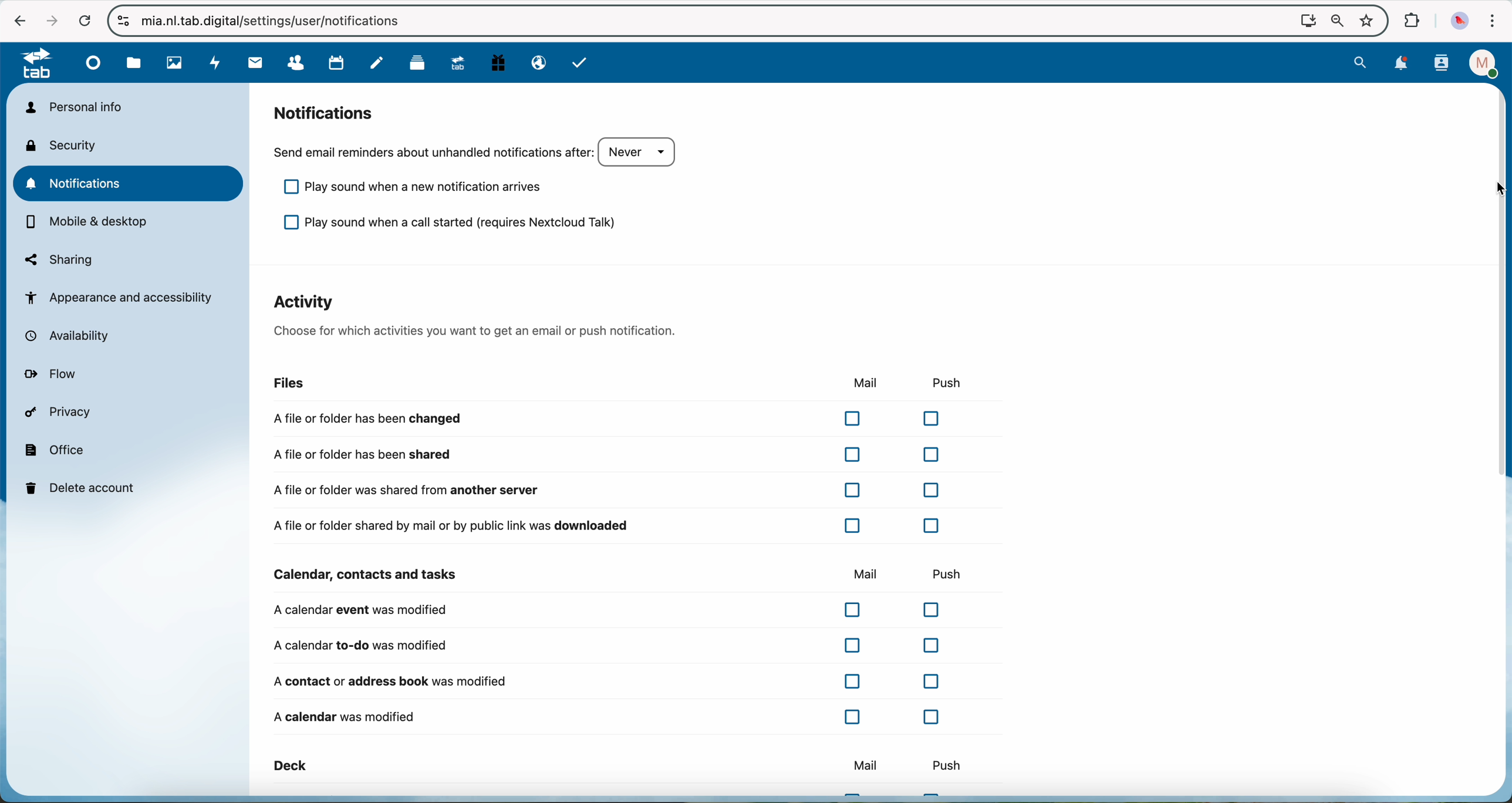 The image size is (1512, 803). I want to click on push, so click(947, 764).